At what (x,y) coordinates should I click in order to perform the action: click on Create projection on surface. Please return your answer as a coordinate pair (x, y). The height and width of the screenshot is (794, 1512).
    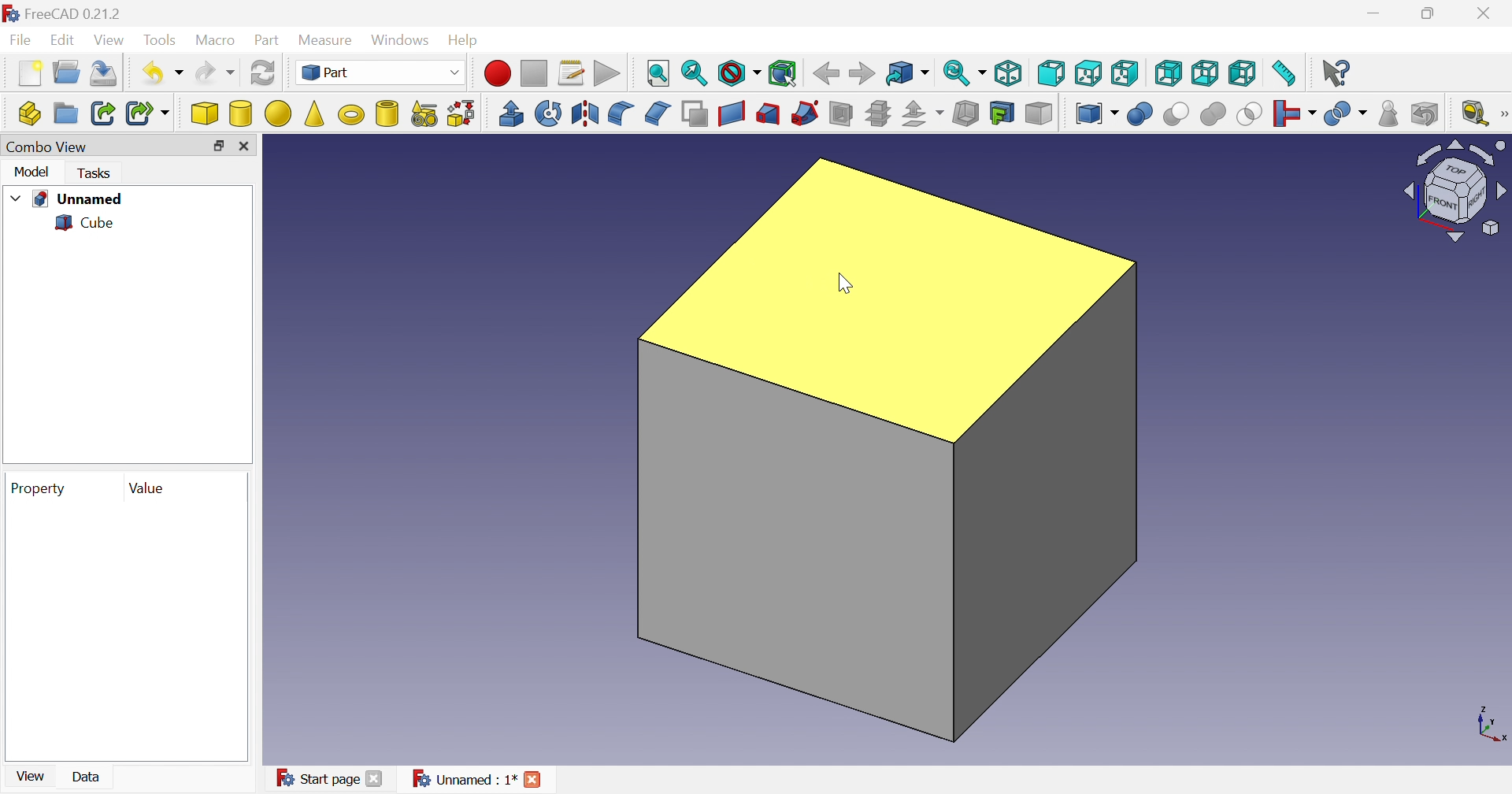
    Looking at the image, I should click on (1002, 113).